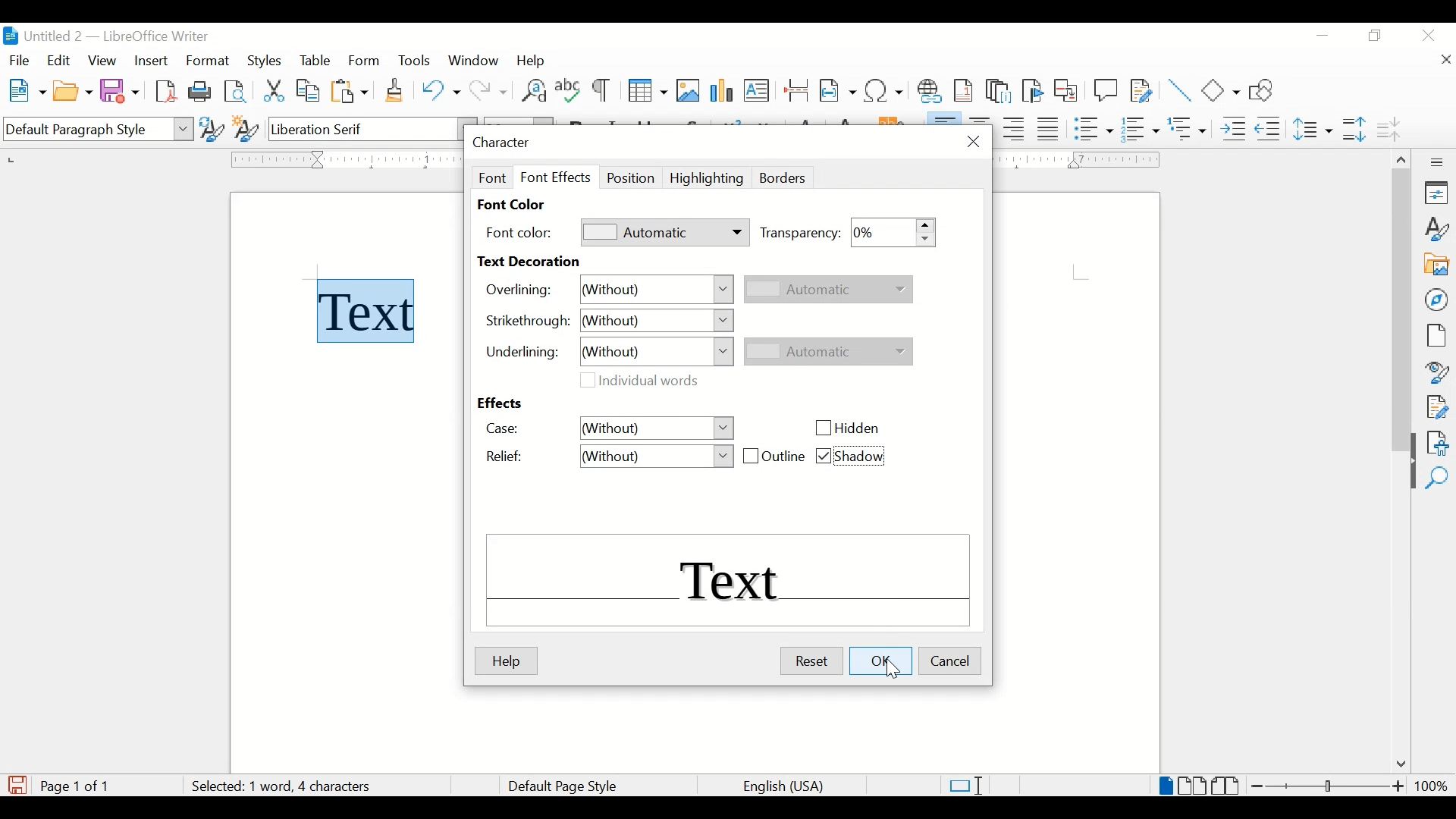  Describe the element at coordinates (1081, 272) in the screenshot. I see `guides` at that location.